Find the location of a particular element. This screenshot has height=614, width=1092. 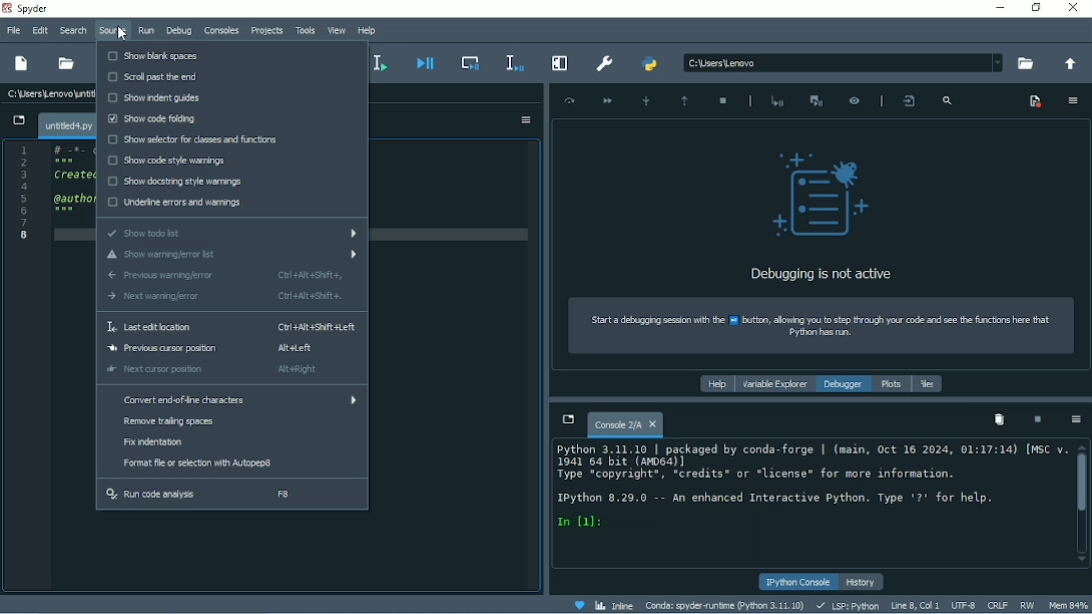

Previous warning/error is located at coordinates (232, 274).